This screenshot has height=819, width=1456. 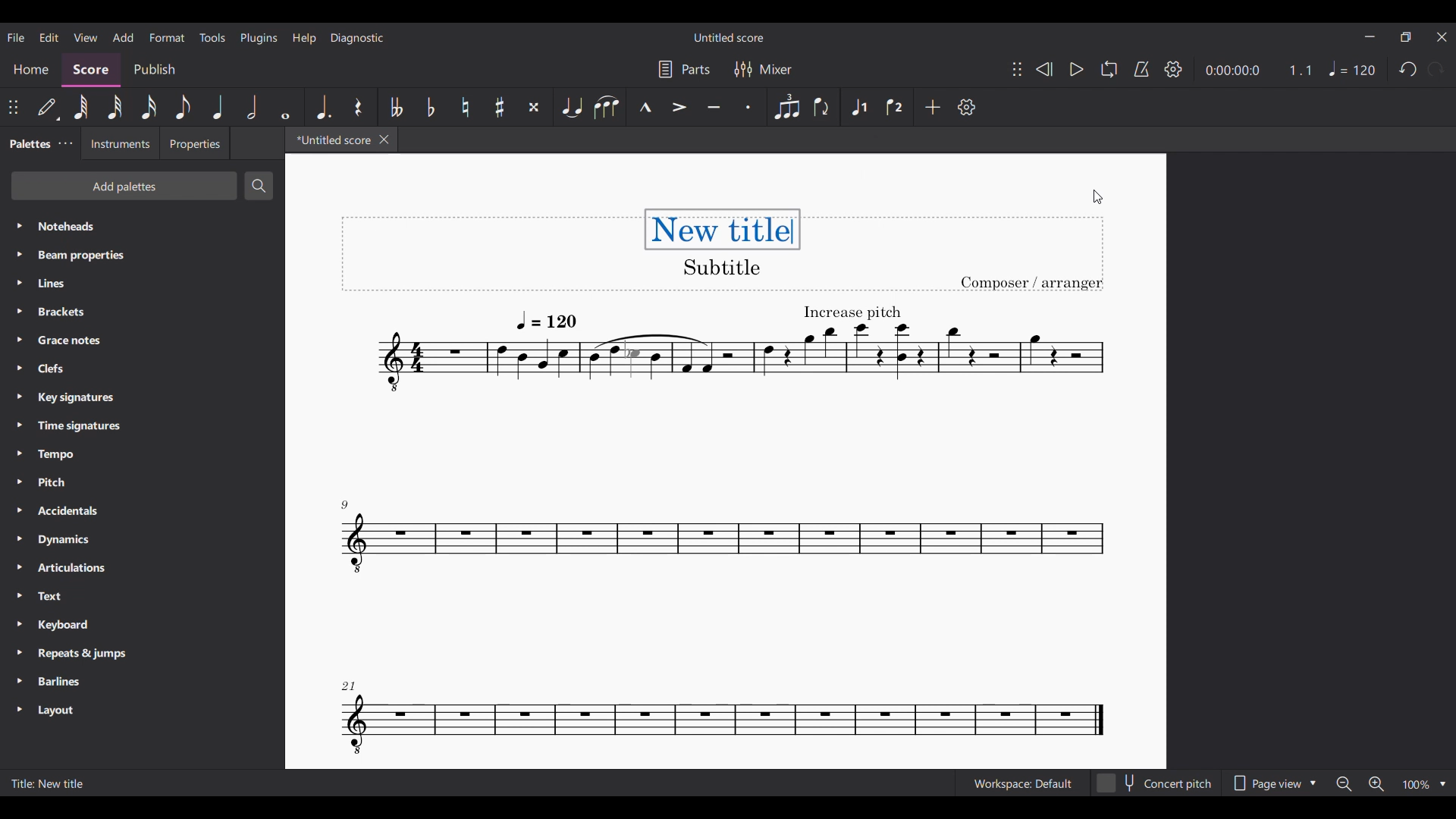 What do you see at coordinates (143, 568) in the screenshot?
I see `Articulations` at bounding box center [143, 568].